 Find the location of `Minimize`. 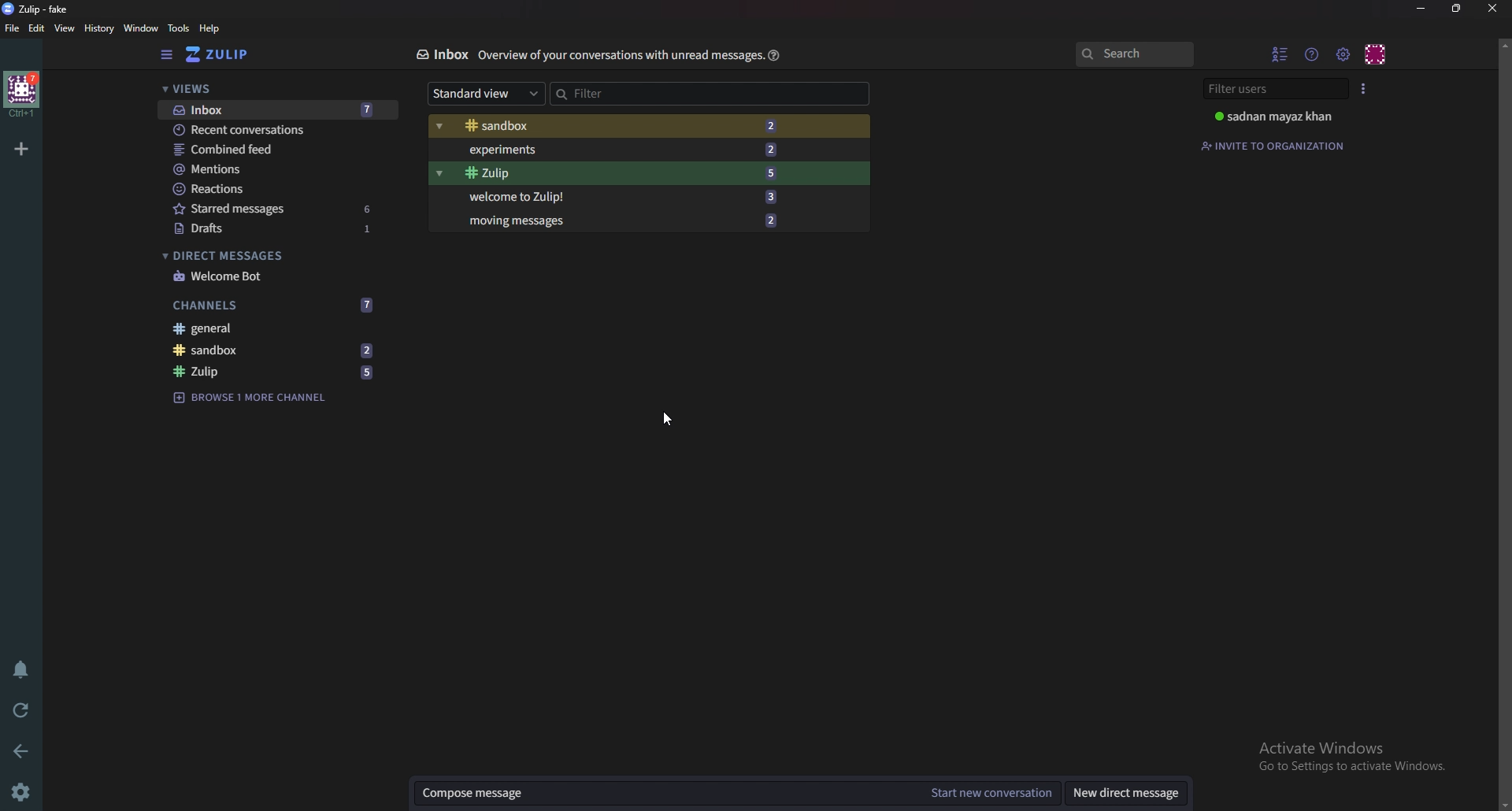

Minimize is located at coordinates (1421, 9).